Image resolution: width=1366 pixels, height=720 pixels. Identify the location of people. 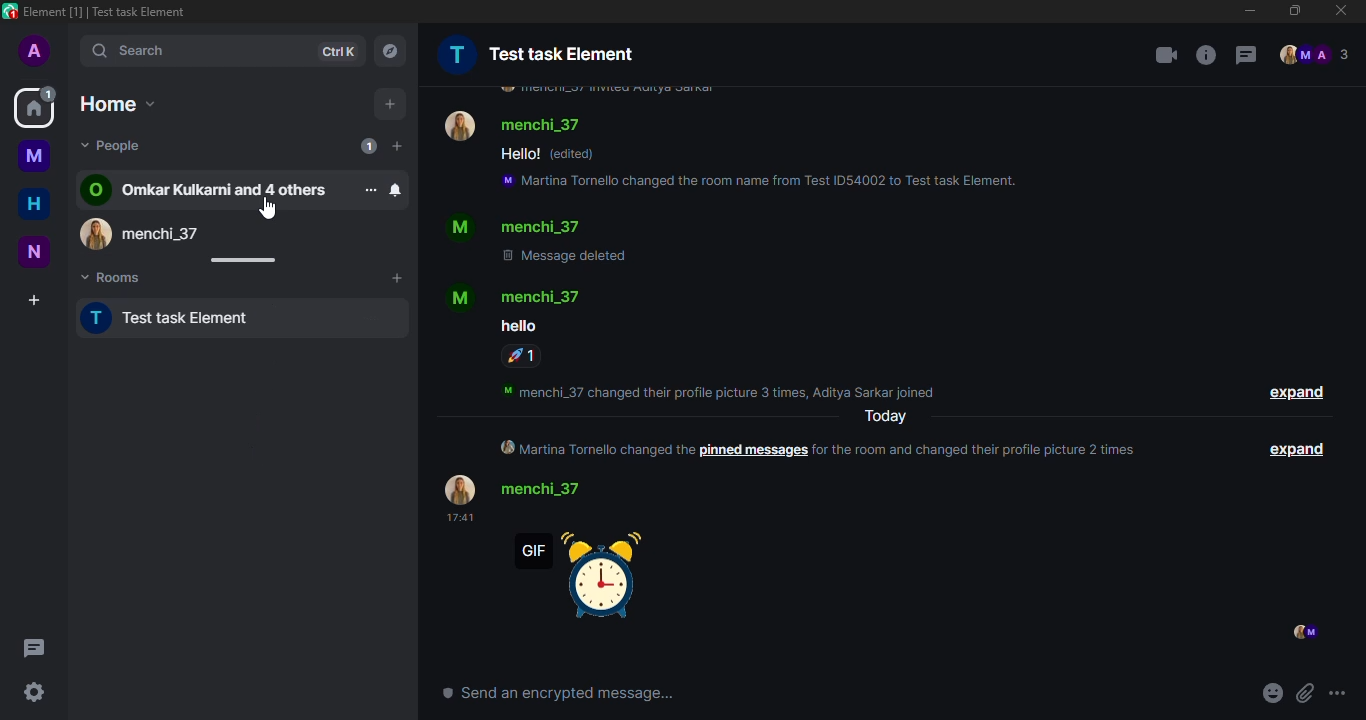
(113, 145).